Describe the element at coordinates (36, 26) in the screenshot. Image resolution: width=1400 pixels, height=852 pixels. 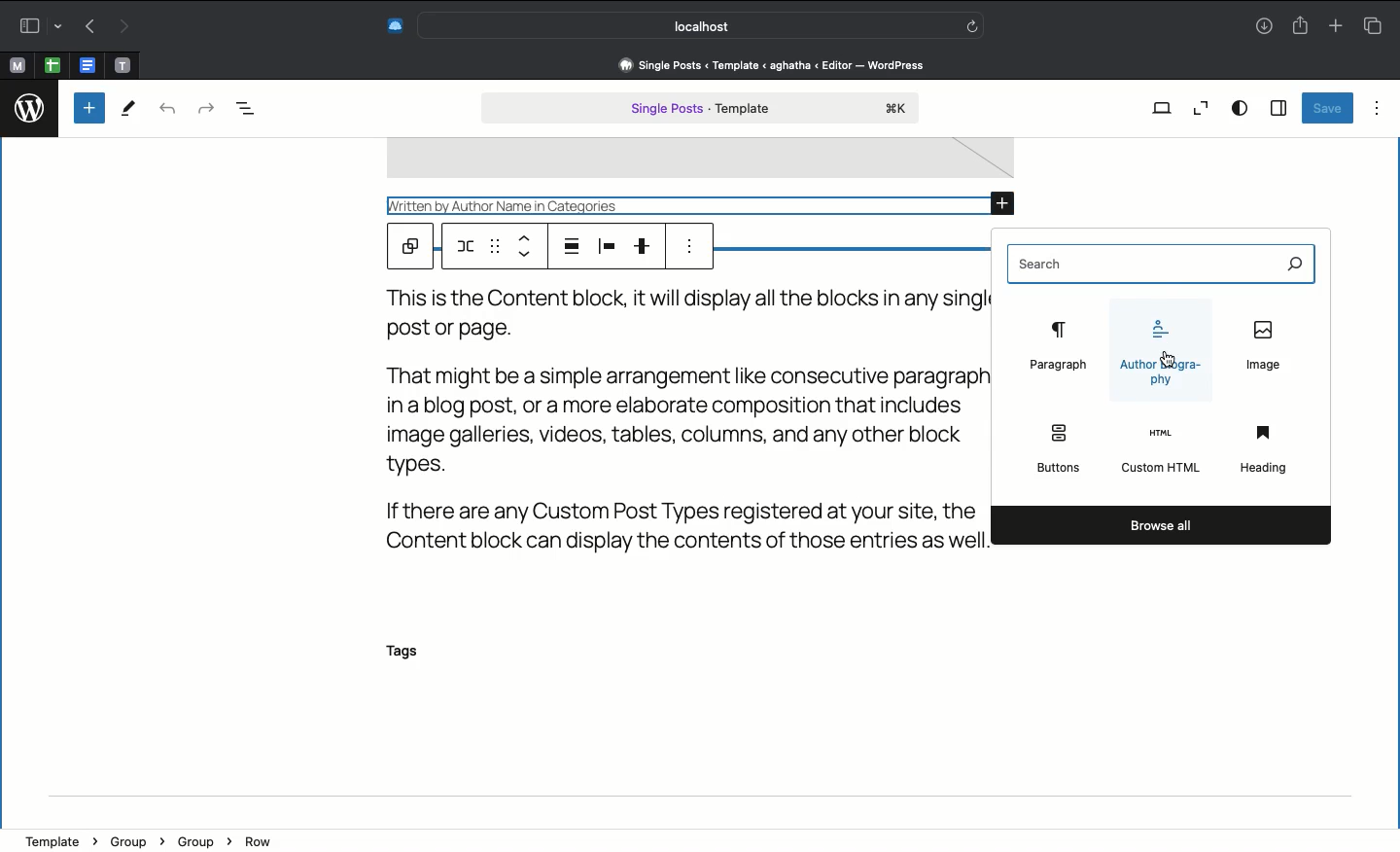
I see `Sidebar` at that location.